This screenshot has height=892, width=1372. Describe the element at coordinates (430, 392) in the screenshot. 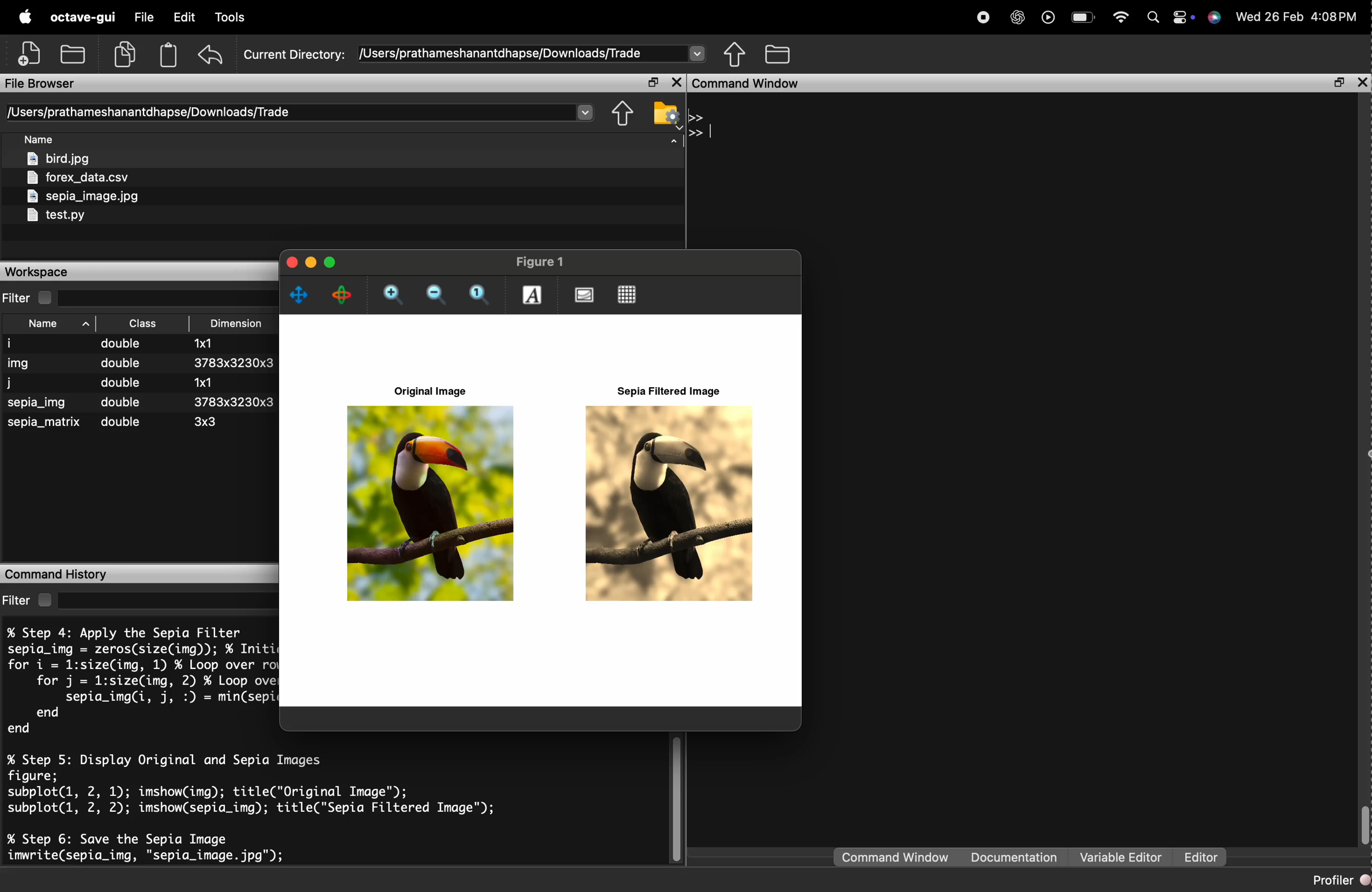

I see `Original Image` at that location.